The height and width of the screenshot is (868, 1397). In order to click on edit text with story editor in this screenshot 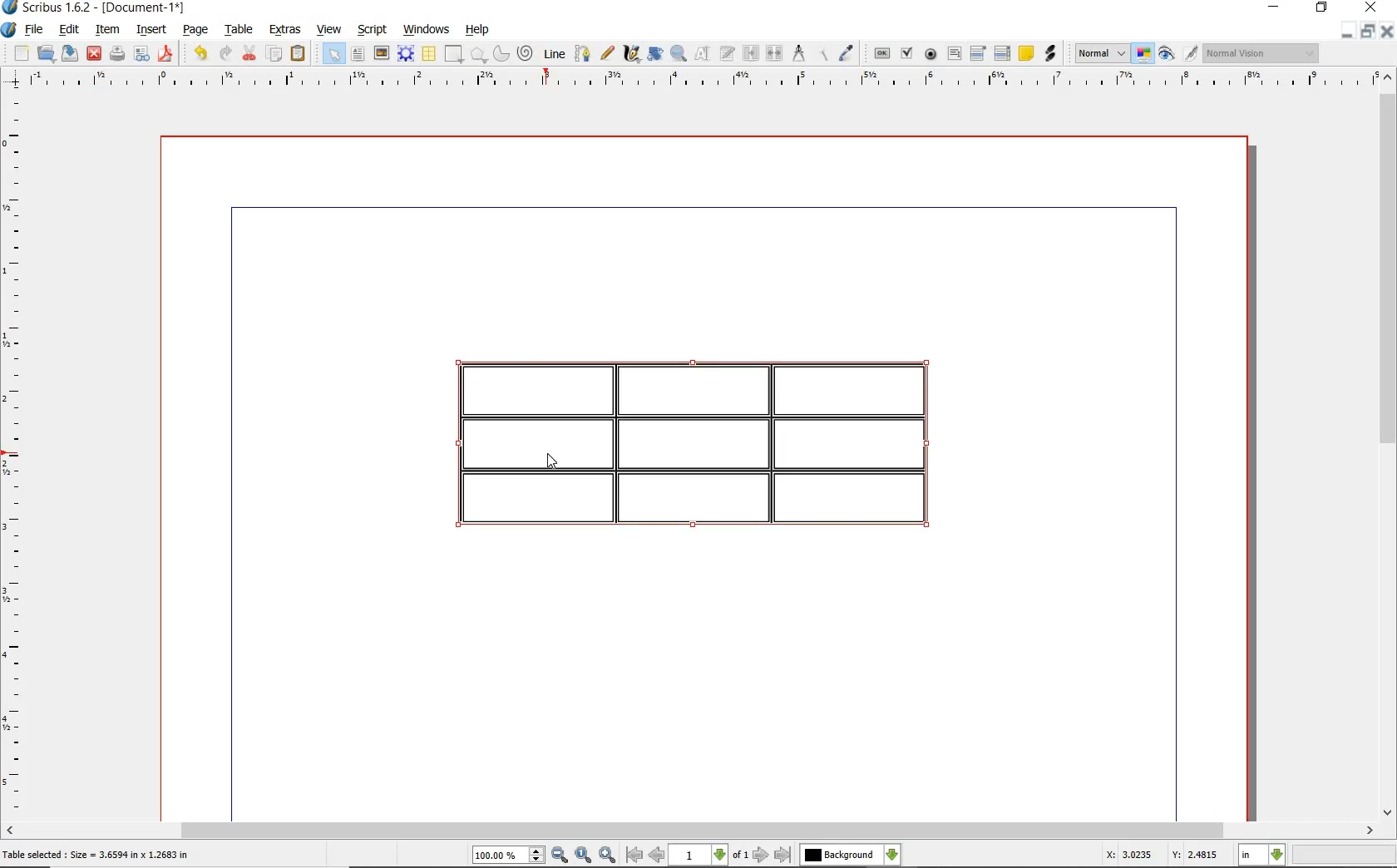, I will do `click(727, 53)`.